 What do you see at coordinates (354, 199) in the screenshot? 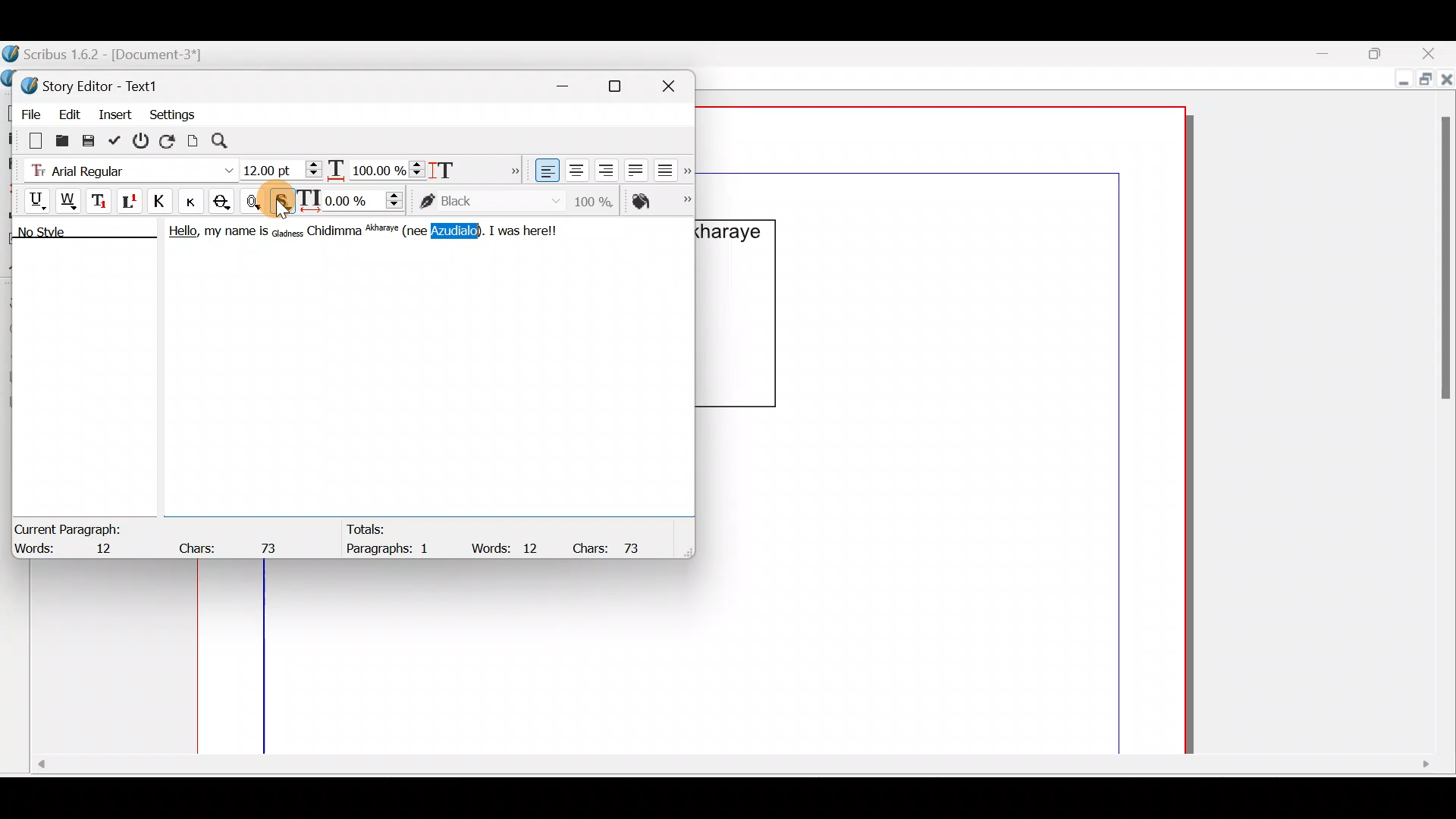
I see `Manual tracking` at bounding box center [354, 199].